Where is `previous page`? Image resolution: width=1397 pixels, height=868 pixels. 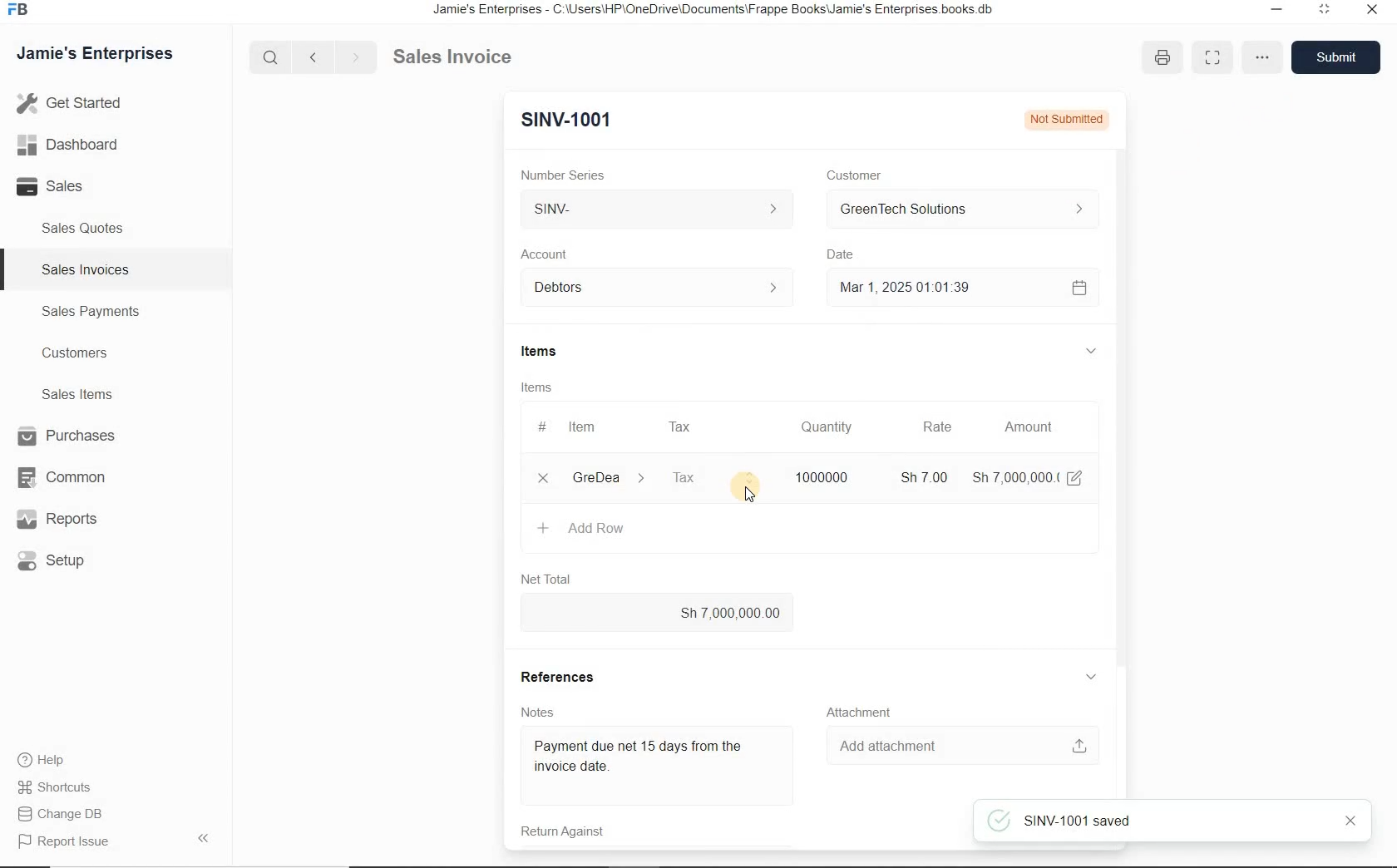
previous page is located at coordinates (312, 57).